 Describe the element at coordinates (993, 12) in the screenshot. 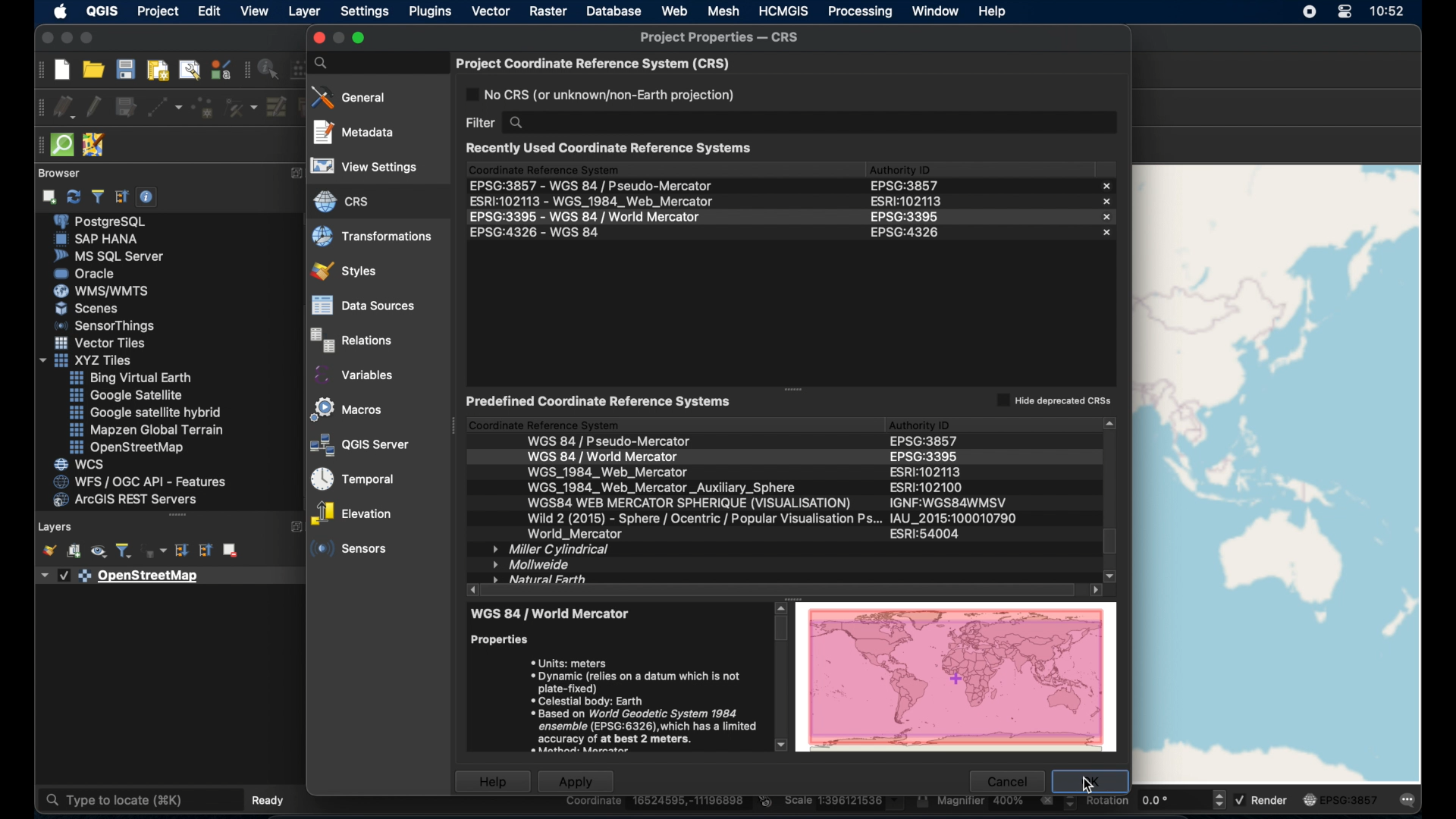

I see `help` at that location.